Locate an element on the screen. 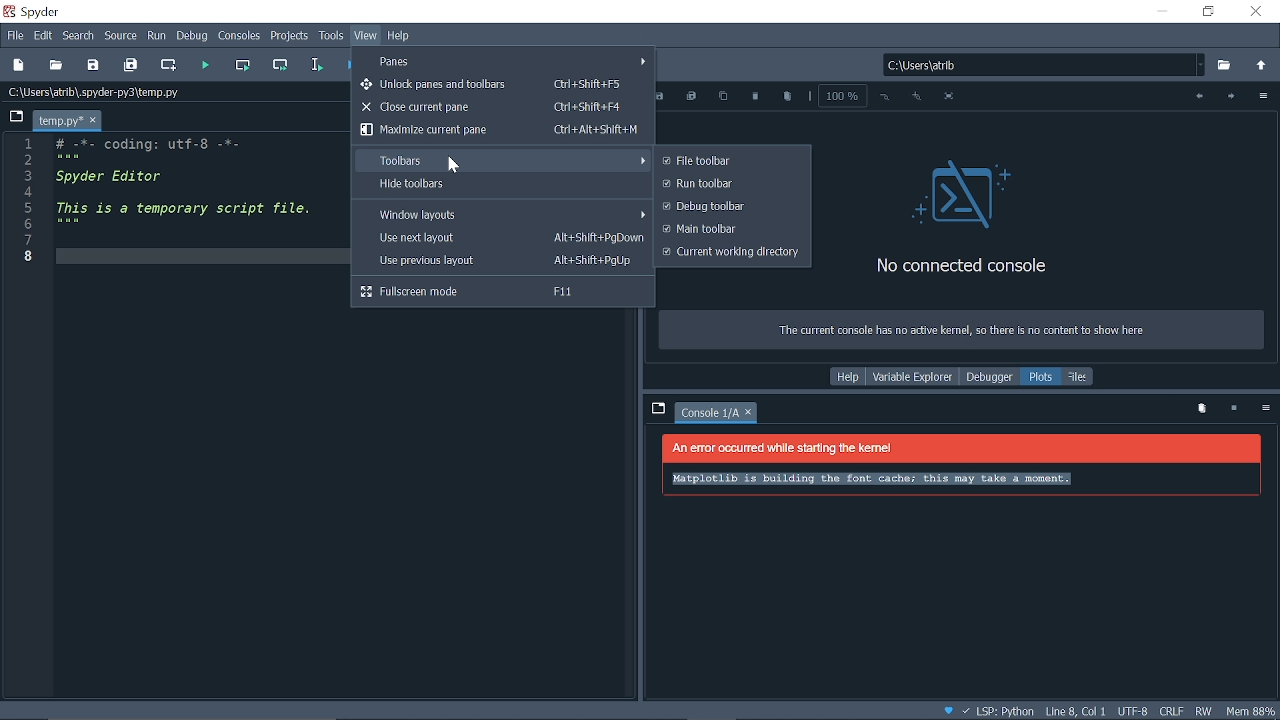 Image resolution: width=1280 pixels, height=720 pixels. Save all files is located at coordinates (132, 63).